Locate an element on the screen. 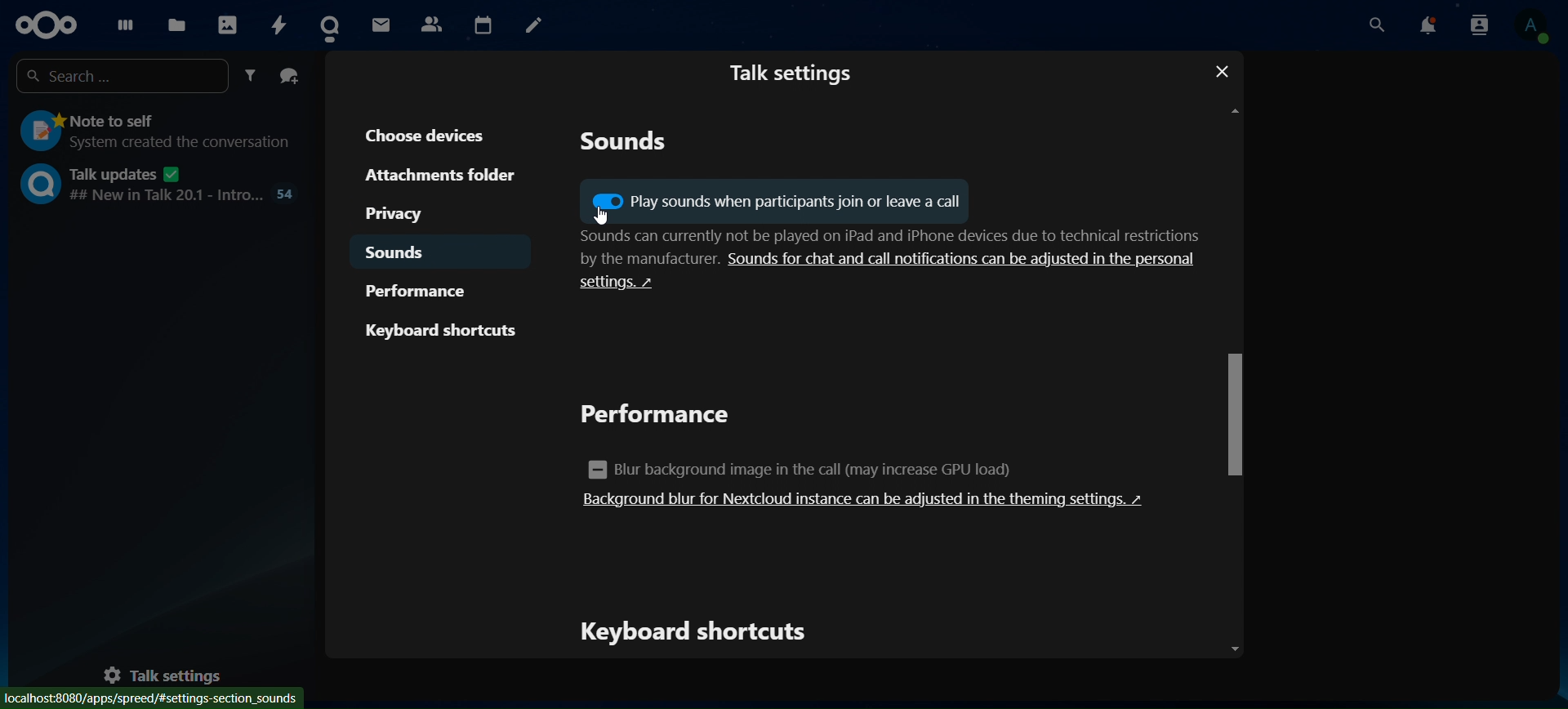 The image size is (1568, 709). Scrollbar is located at coordinates (1233, 375).